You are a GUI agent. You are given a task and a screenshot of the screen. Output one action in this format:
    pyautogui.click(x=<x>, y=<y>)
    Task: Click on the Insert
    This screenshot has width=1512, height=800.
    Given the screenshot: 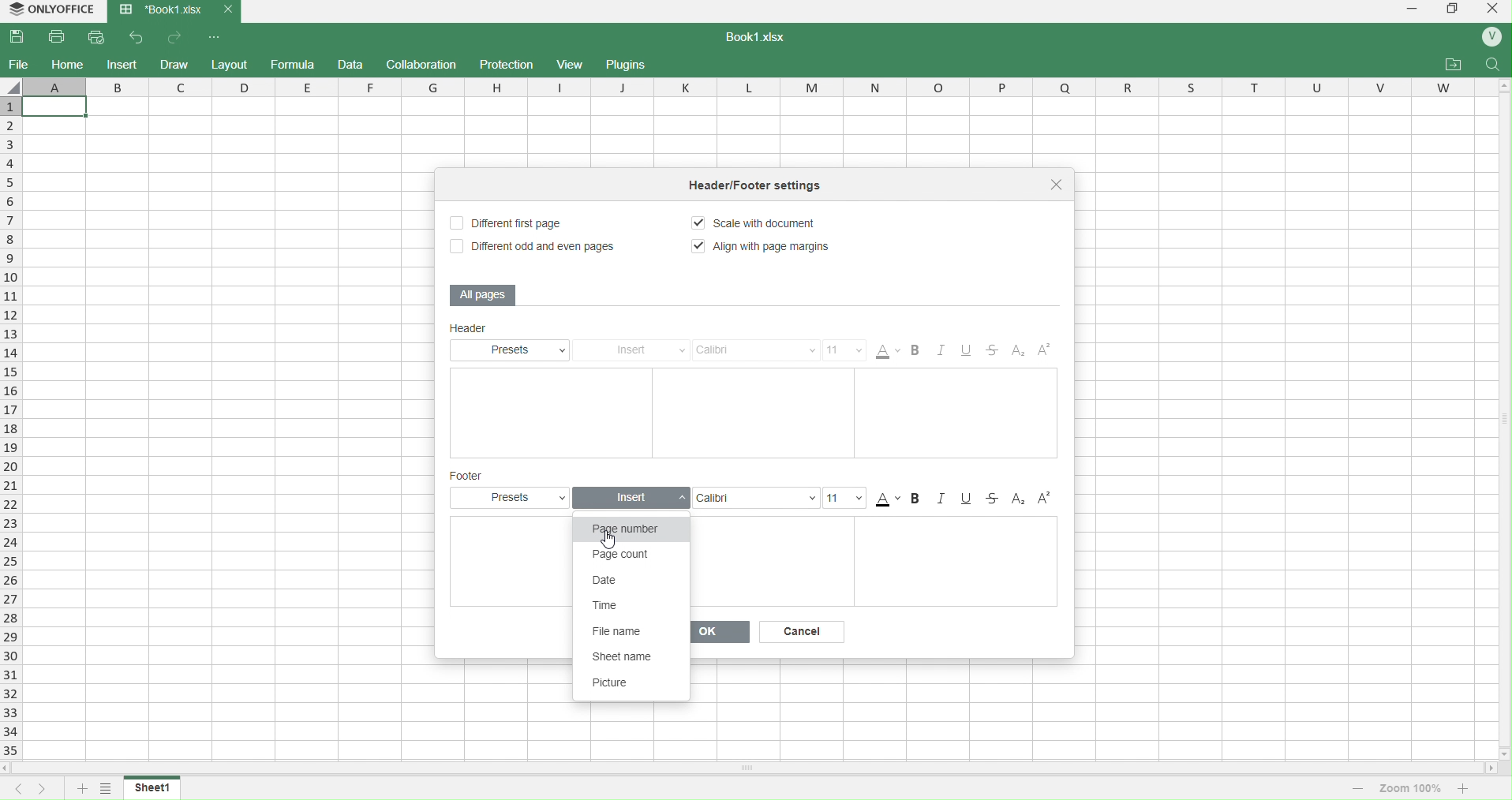 What is the action you would take?
    pyautogui.click(x=633, y=497)
    